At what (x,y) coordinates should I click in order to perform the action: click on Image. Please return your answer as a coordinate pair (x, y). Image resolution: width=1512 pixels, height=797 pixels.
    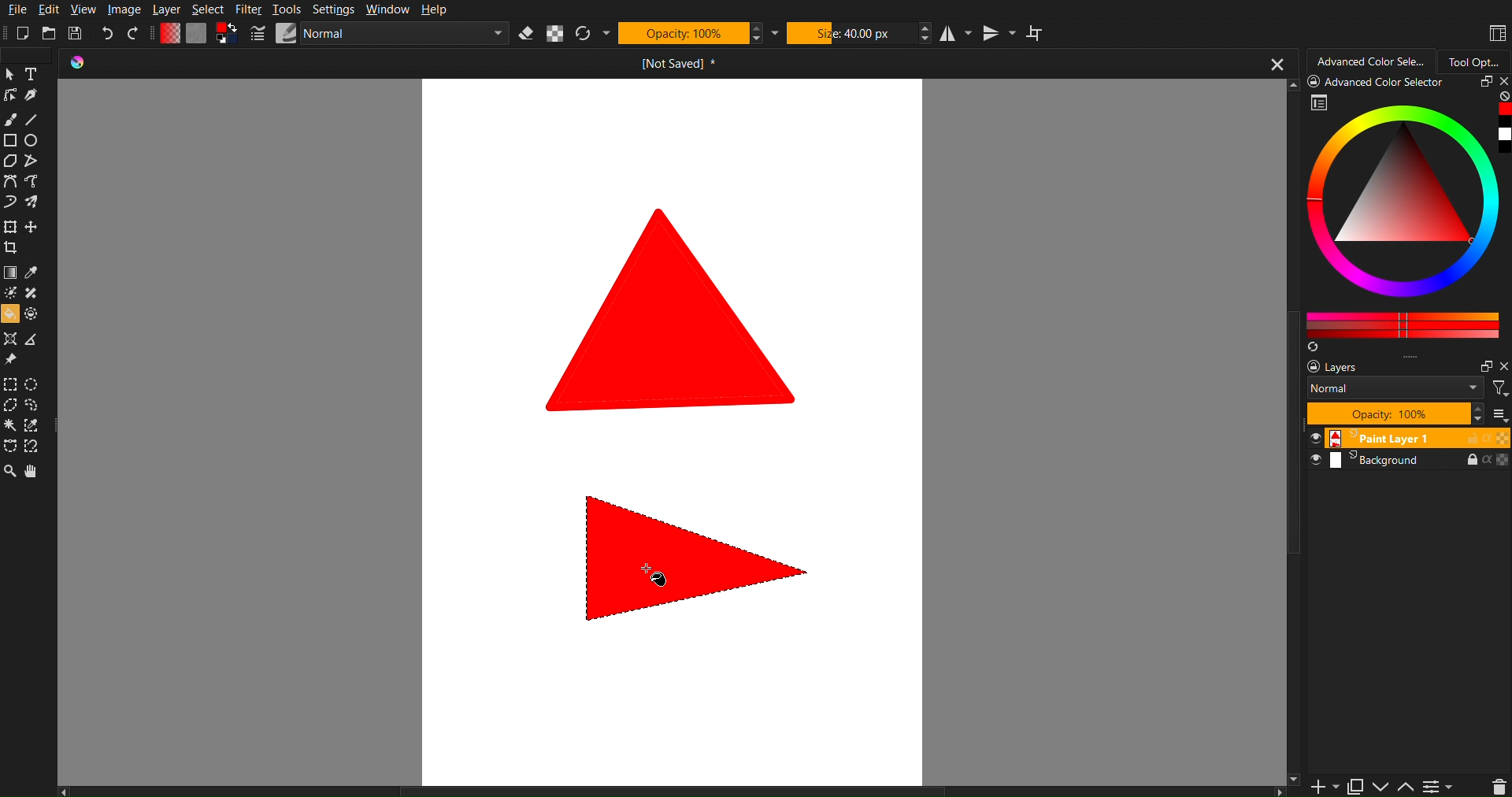
    Looking at the image, I should click on (128, 9).